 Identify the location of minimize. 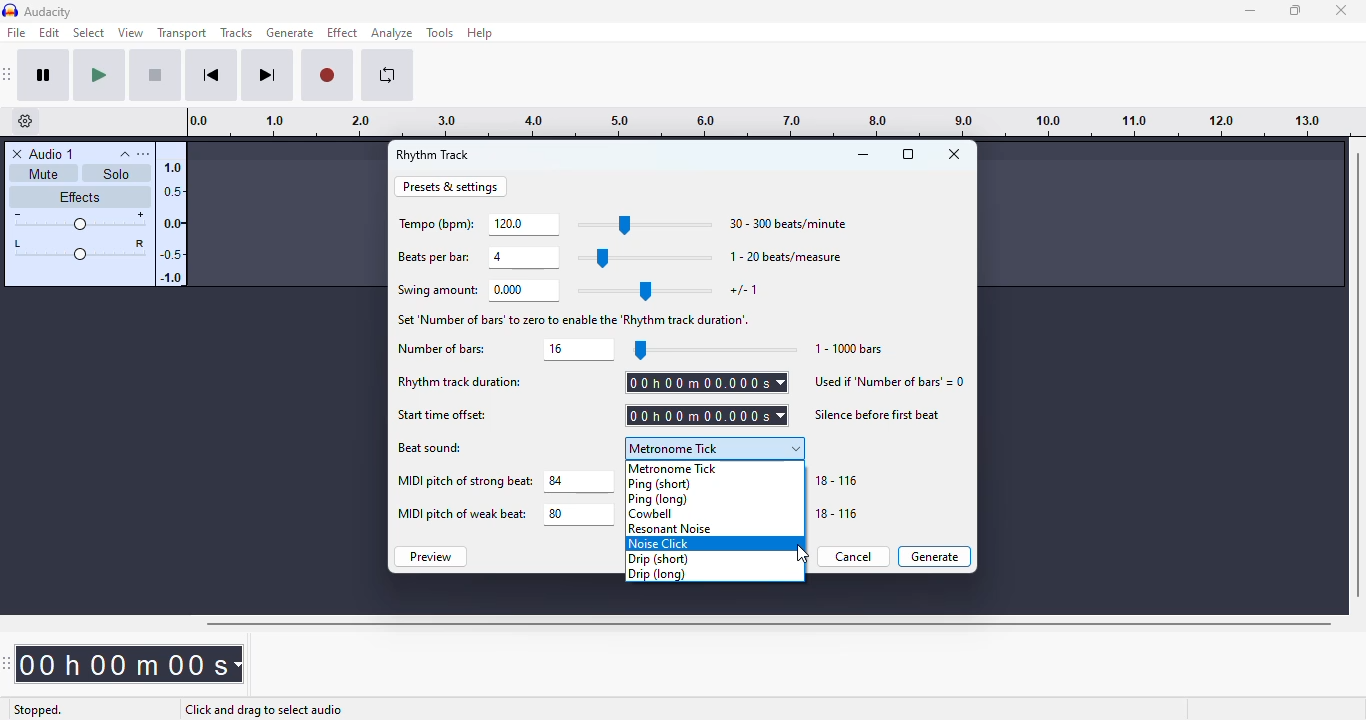
(862, 154).